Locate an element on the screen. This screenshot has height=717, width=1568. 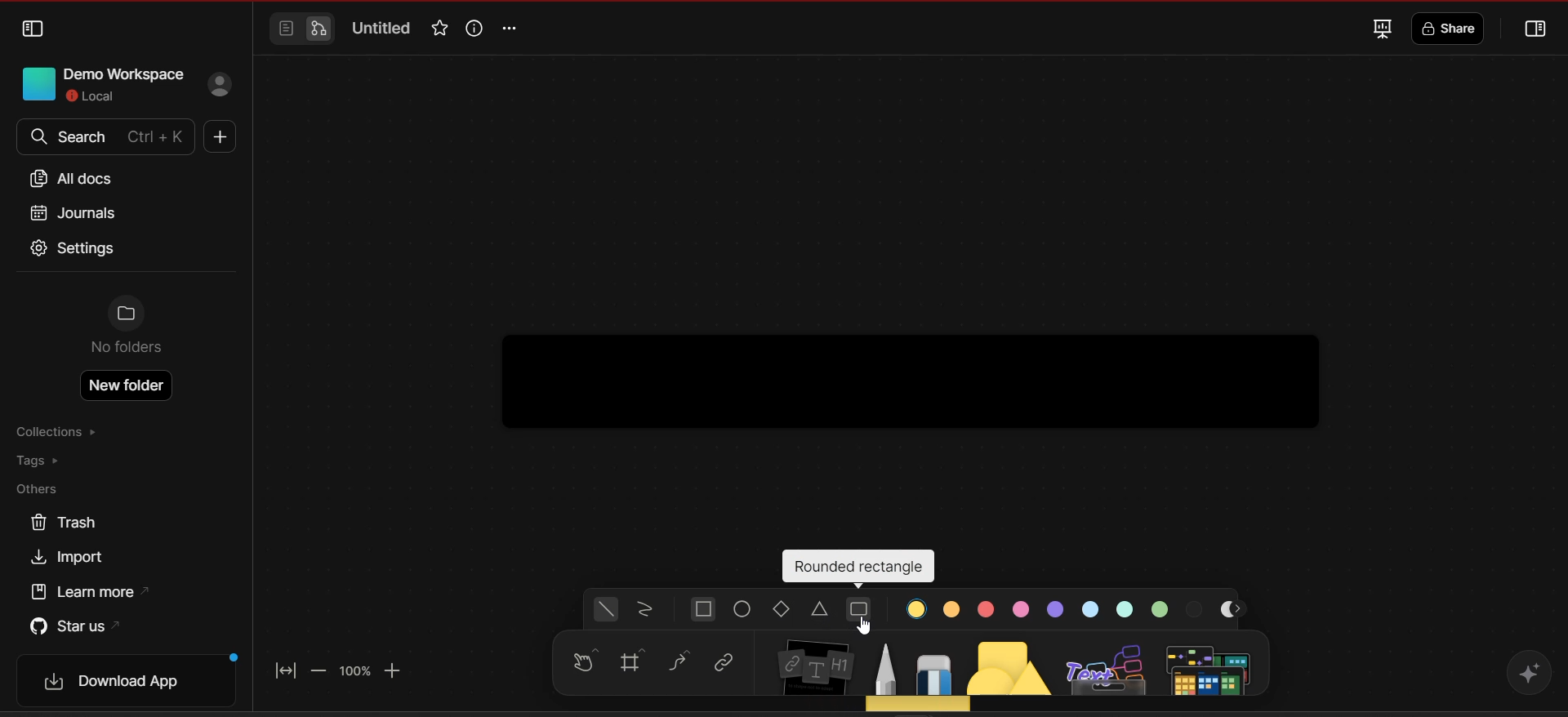
favorite is located at coordinates (437, 29).